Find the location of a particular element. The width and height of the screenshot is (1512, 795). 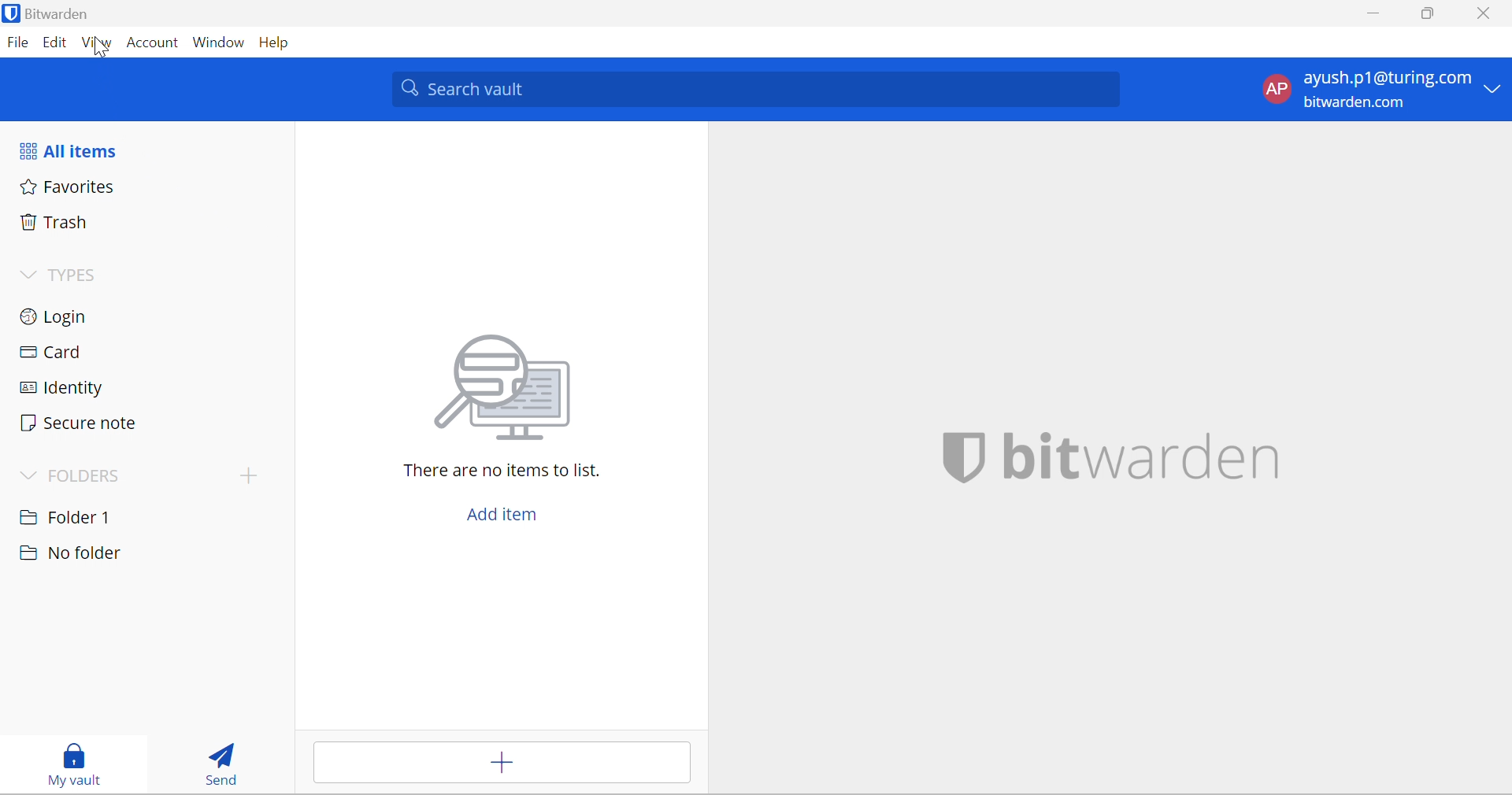

My vault is located at coordinates (69, 764).